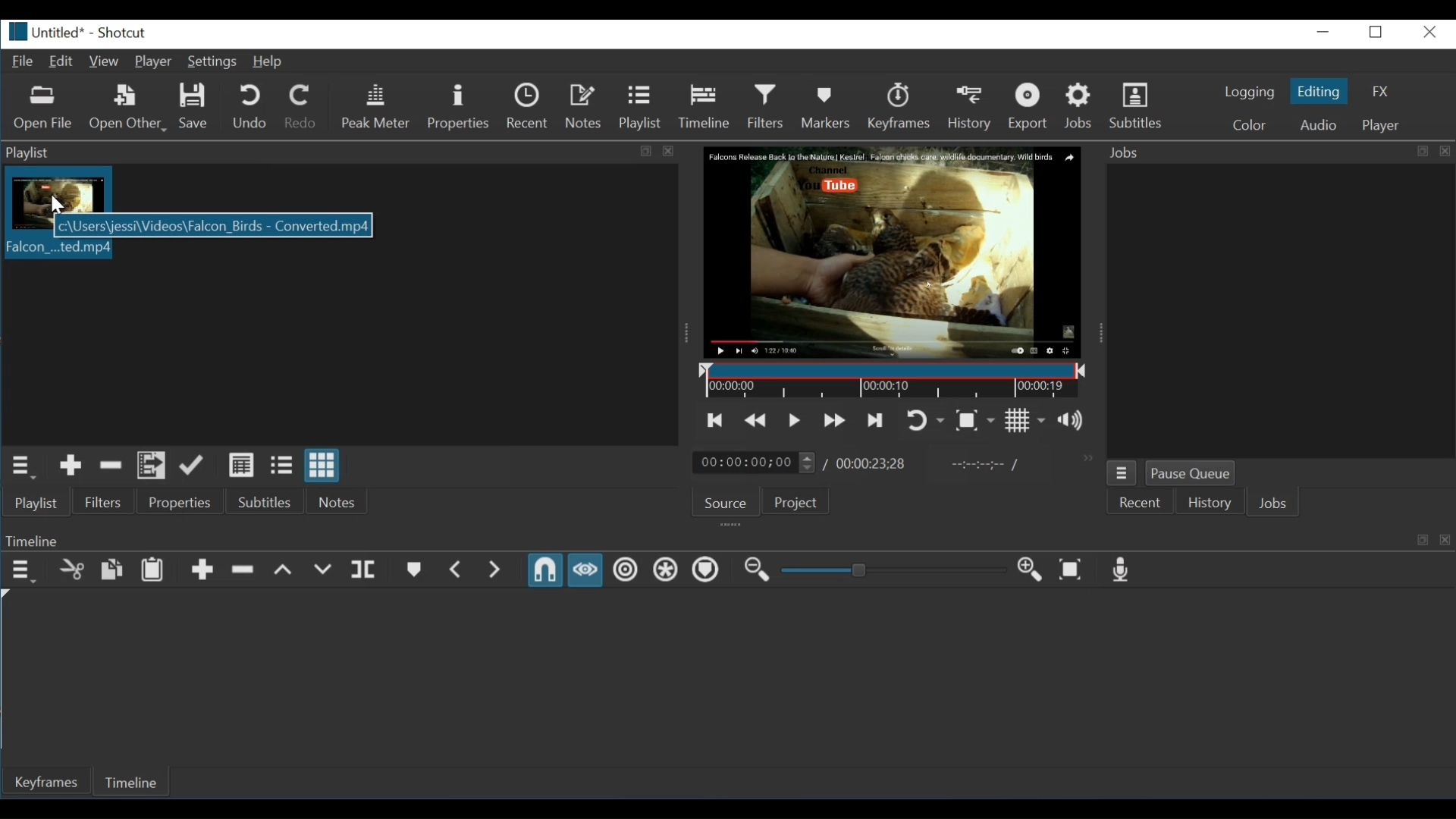 This screenshot has height=819, width=1456. I want to click on Toggle player looping, so click(926, 421).